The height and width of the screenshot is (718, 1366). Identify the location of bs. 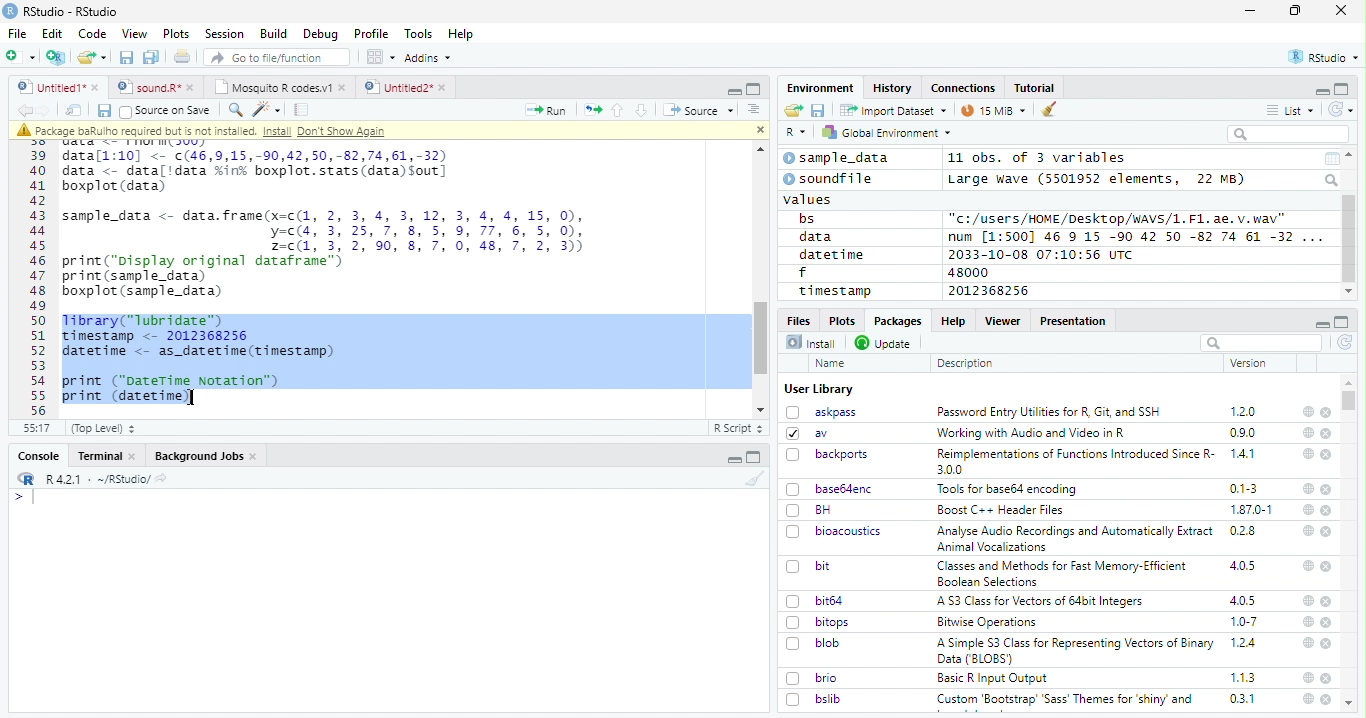
(807, 219).